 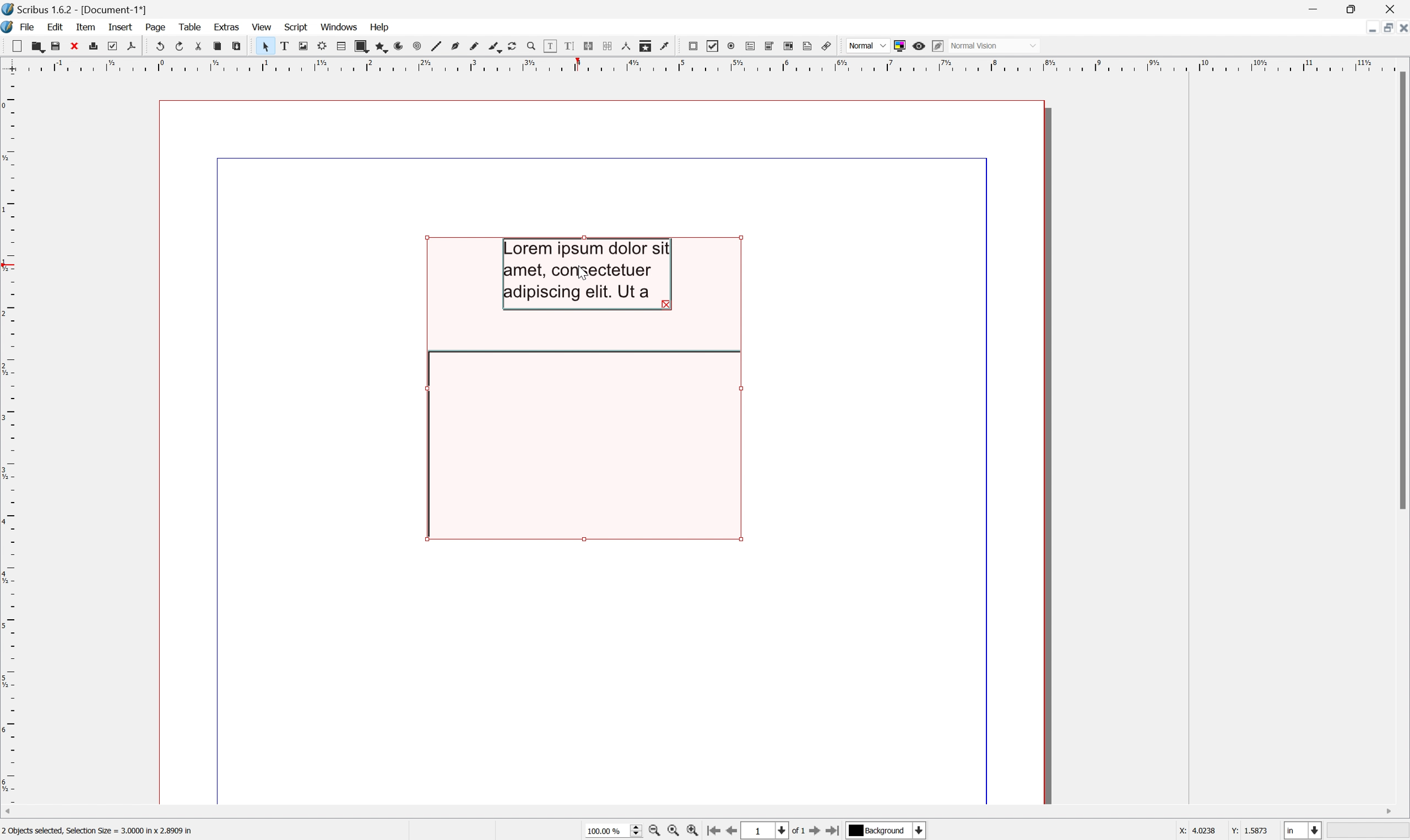 What do you see at coordinates (516, 46) in the screenshot?
I see `Rotate item` at bounding box center [516, 46].